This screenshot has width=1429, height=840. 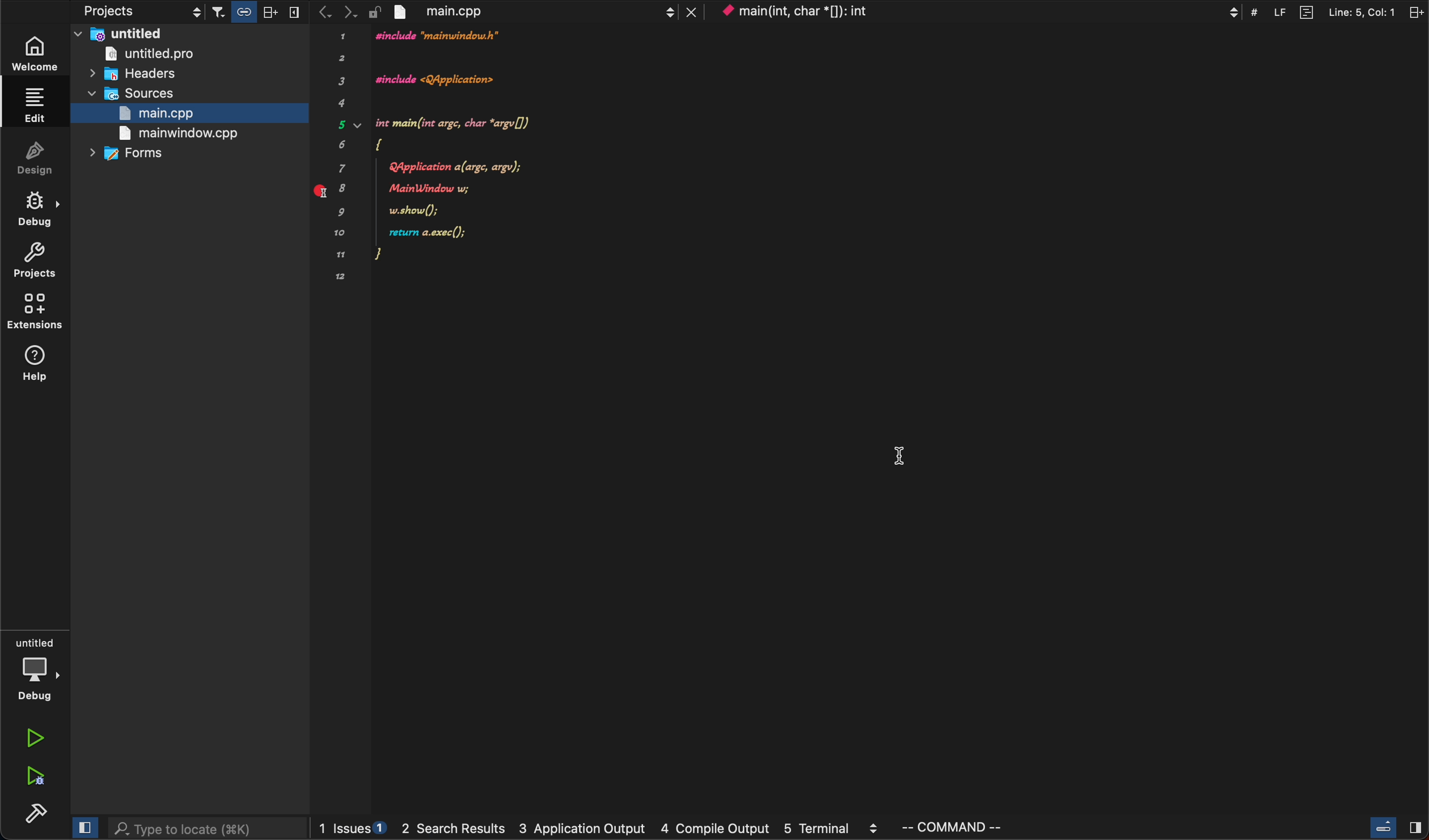 What do you see at coordinates (189, 33) in the screenshot?
I see `untitled` at bounding box center [189, 33].